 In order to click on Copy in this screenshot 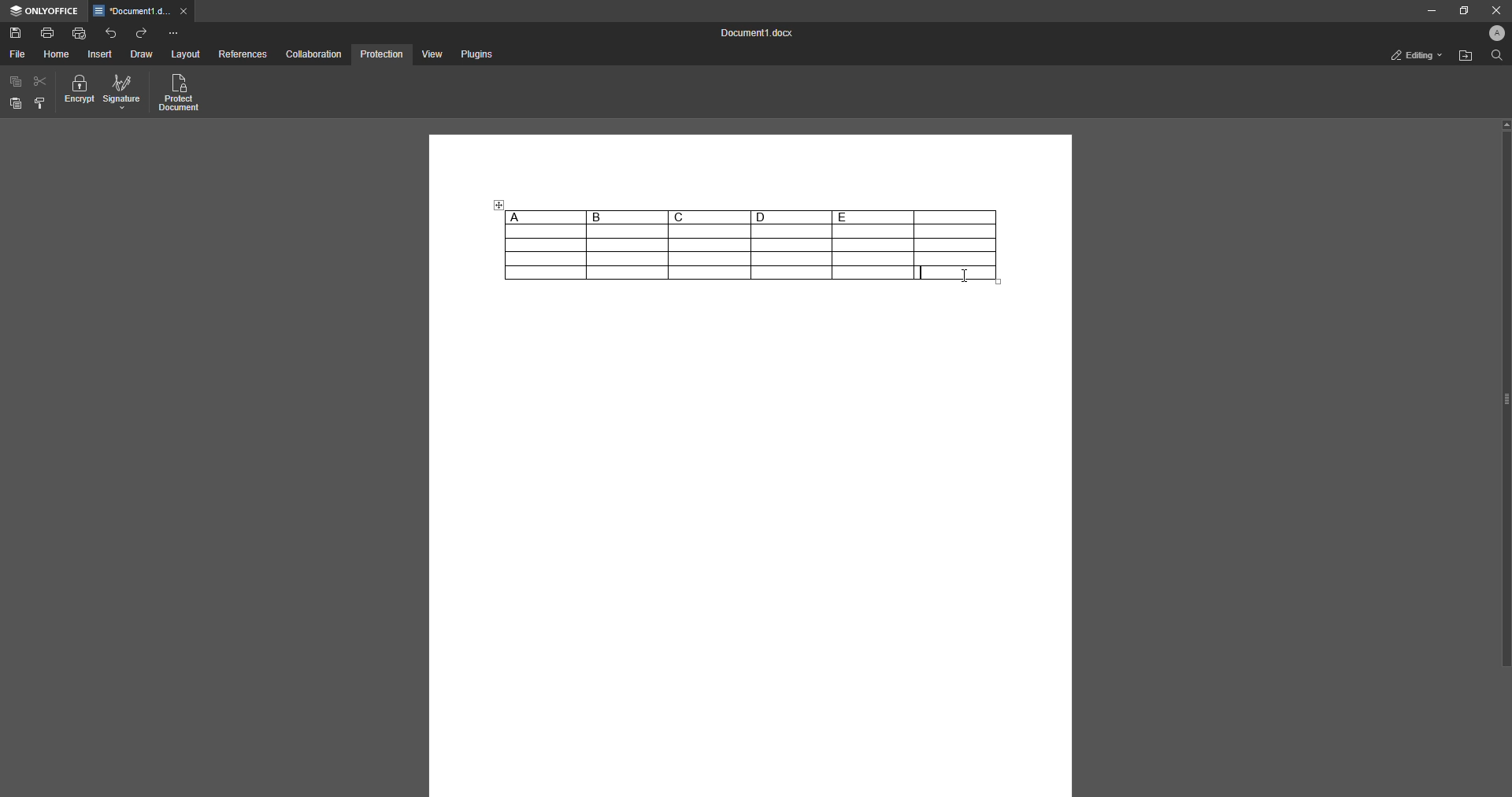, I will do `click(16, 82)`.